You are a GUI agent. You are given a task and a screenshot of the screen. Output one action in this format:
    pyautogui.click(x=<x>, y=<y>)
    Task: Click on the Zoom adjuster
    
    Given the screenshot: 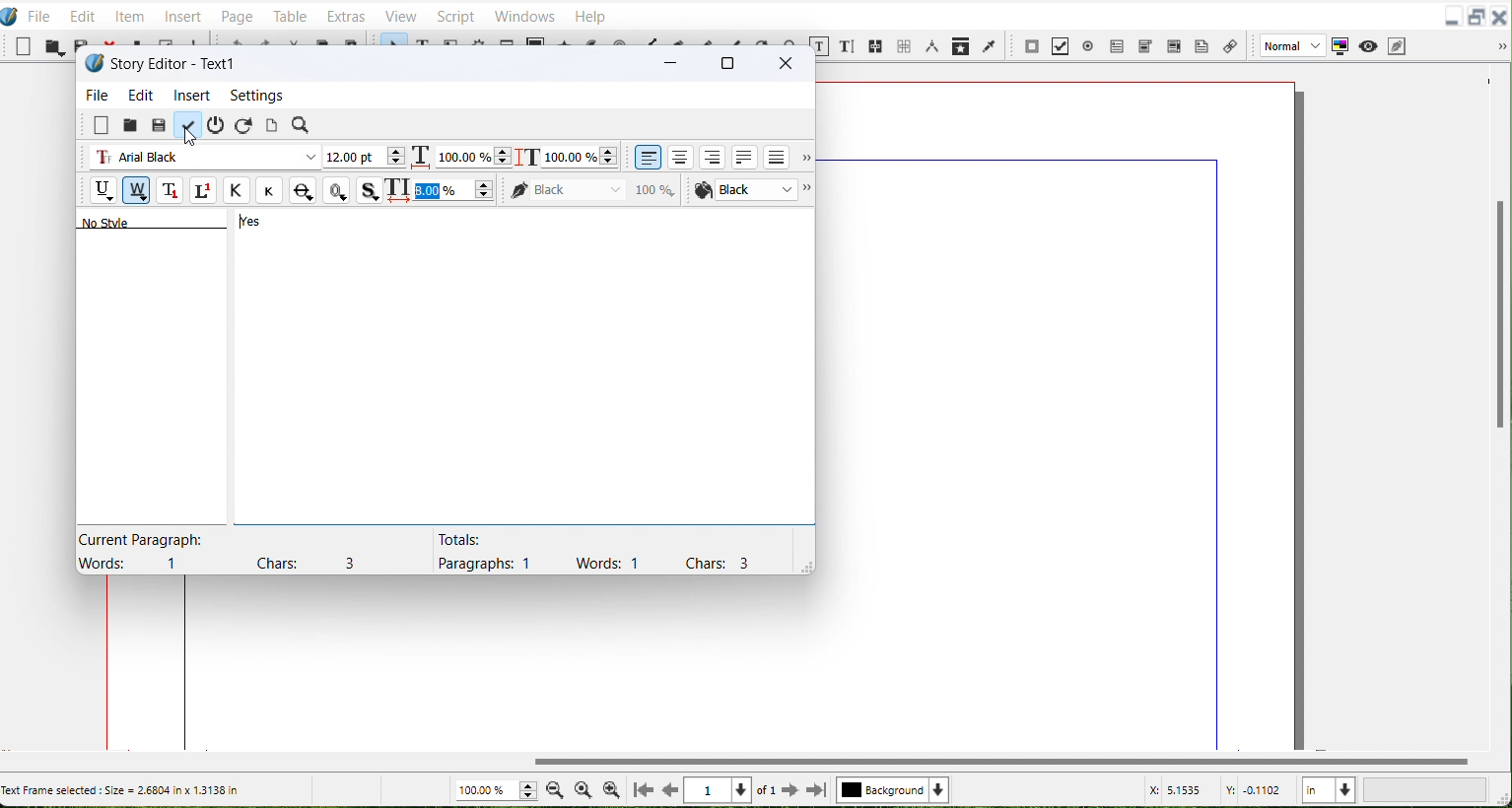 What is the action you would take?
    pyautogui.click(x=495, y=790)
    